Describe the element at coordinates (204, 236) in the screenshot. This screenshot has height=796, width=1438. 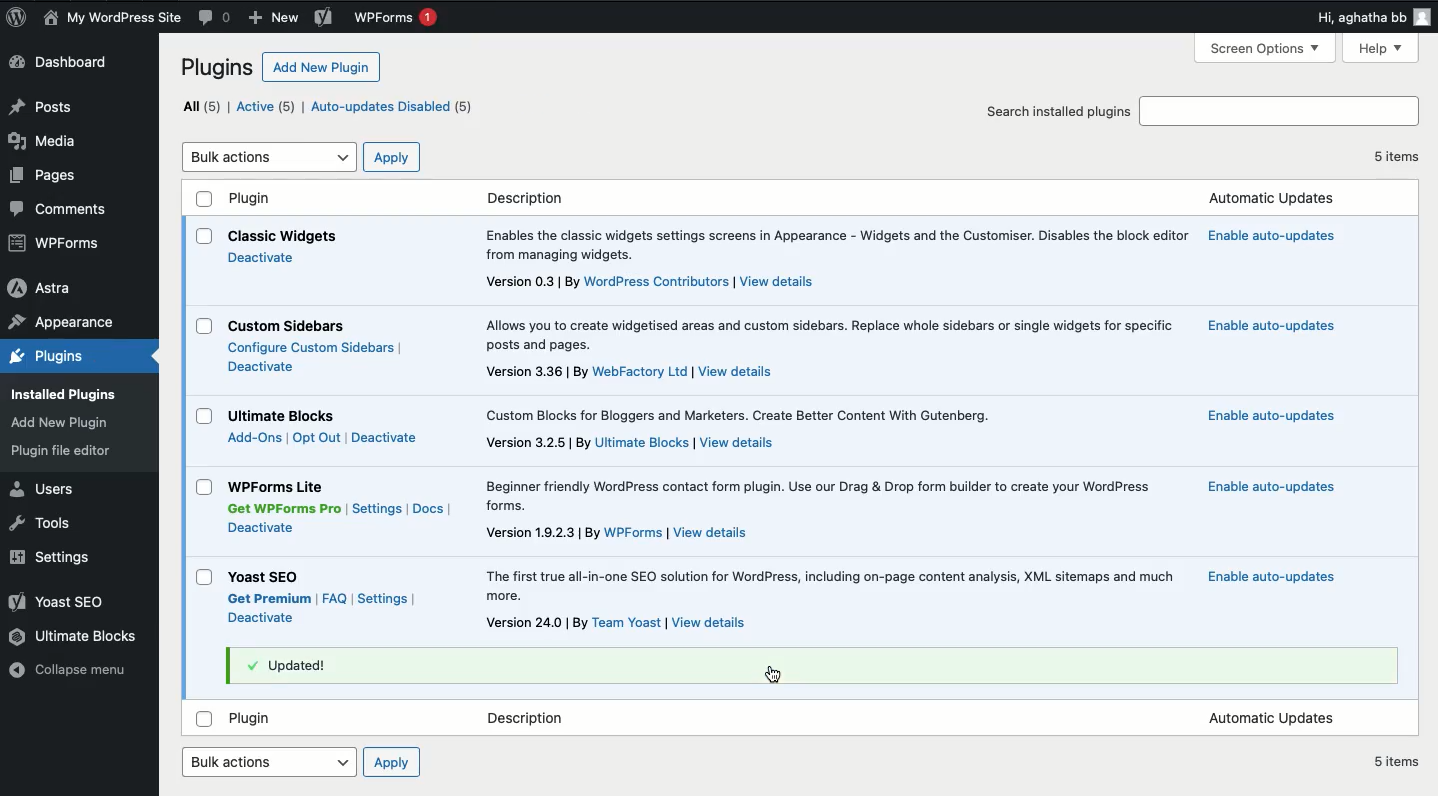
I see `Checkbox` at that location.